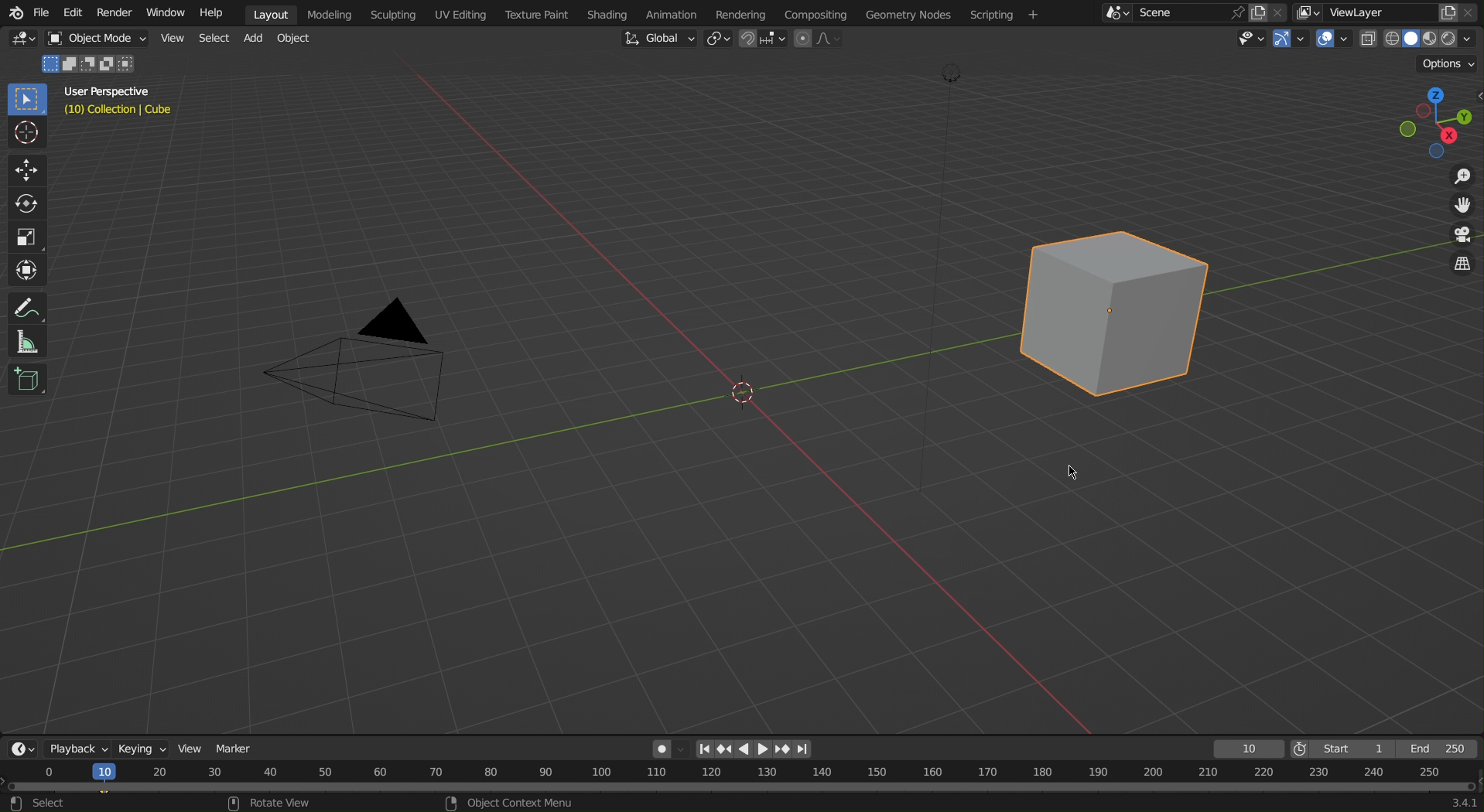 The width and height of the screenshot is (1484, 812). What do you see at coordinates (27, 268) in the screenshot?
I see `Transform` at bounding box center [27, 268].